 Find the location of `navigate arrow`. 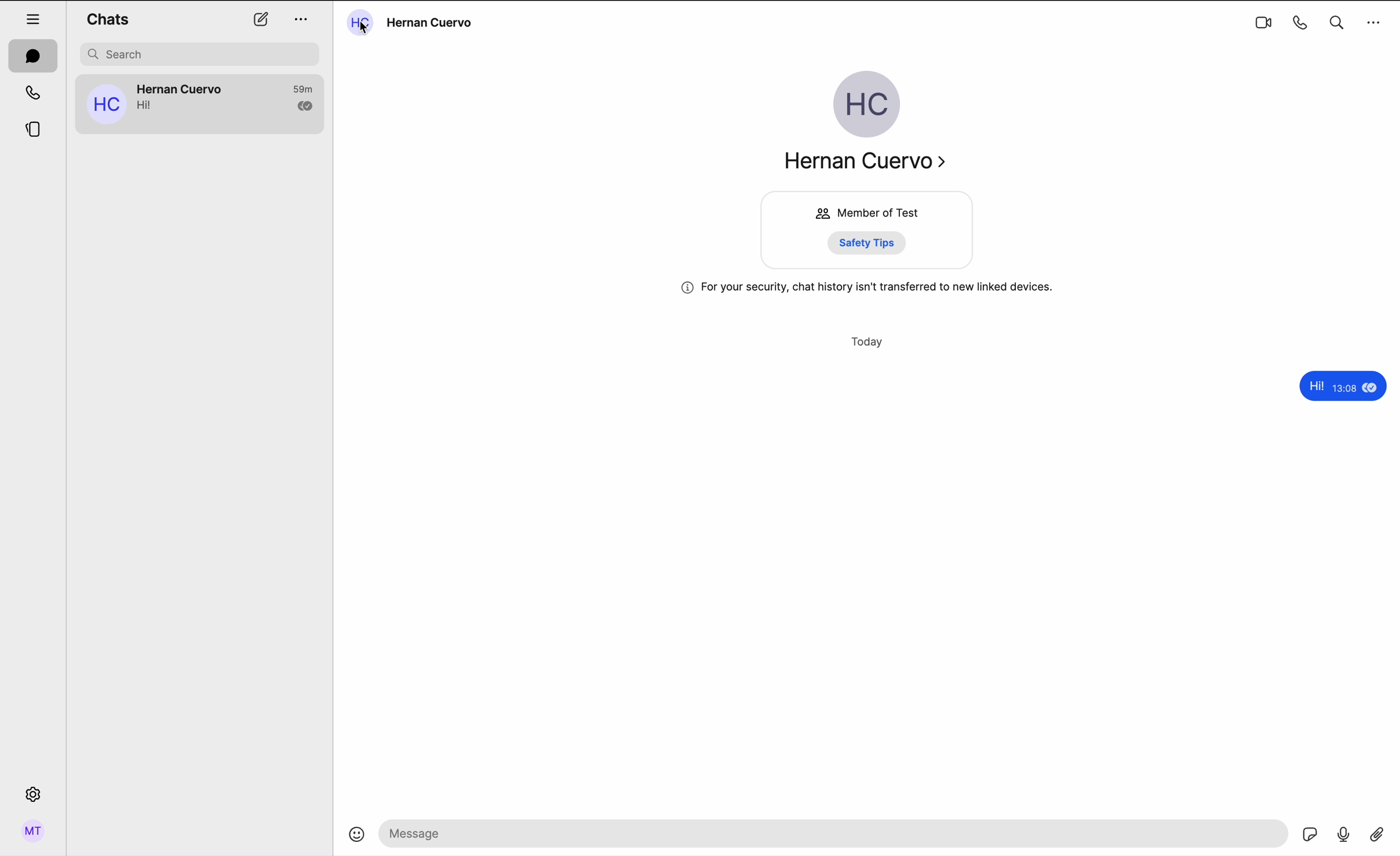

navigate arrow is located at coordinates (946, 161).